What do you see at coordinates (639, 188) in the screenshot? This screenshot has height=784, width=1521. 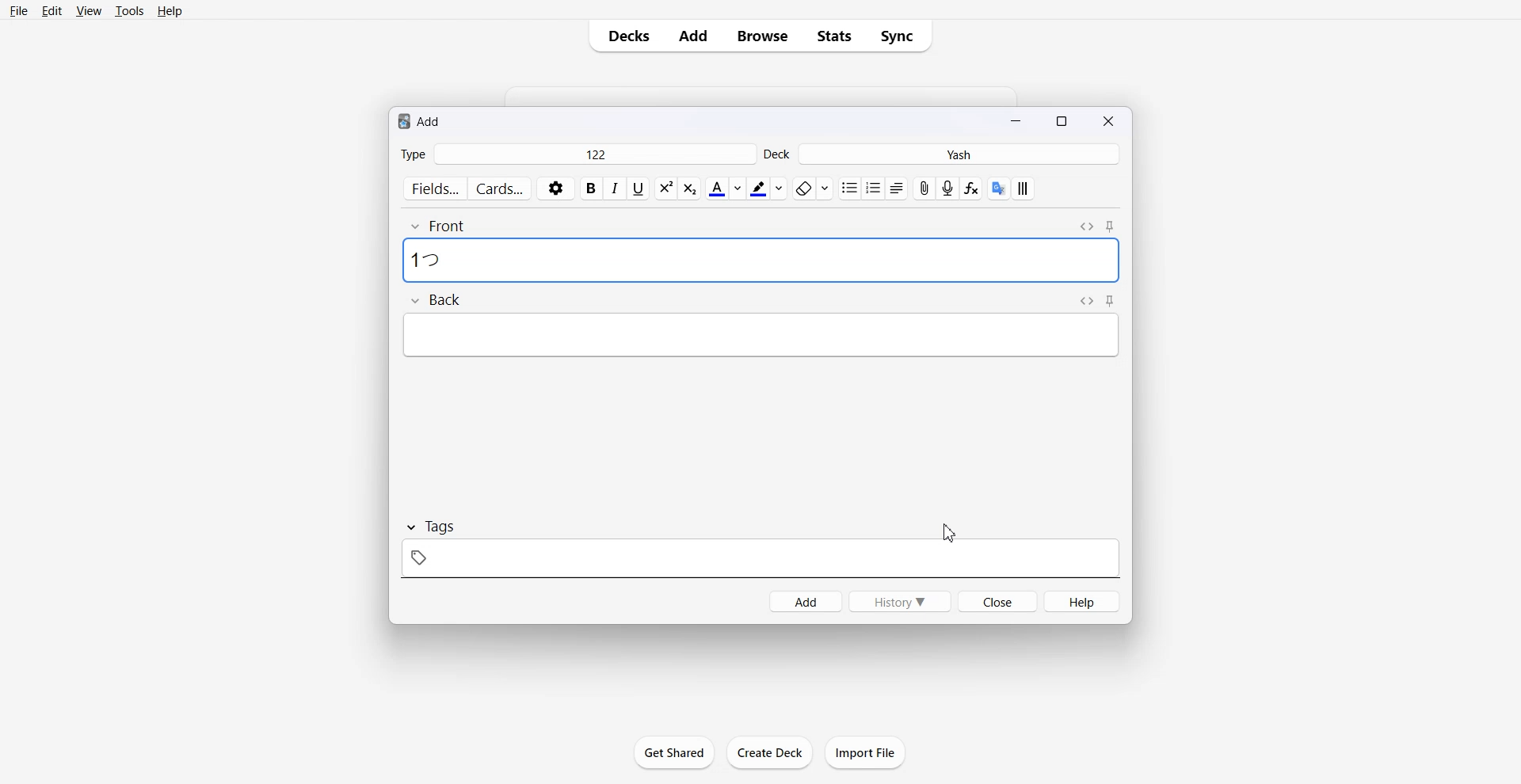 I see `Underline` at bounding box center [639, 188].